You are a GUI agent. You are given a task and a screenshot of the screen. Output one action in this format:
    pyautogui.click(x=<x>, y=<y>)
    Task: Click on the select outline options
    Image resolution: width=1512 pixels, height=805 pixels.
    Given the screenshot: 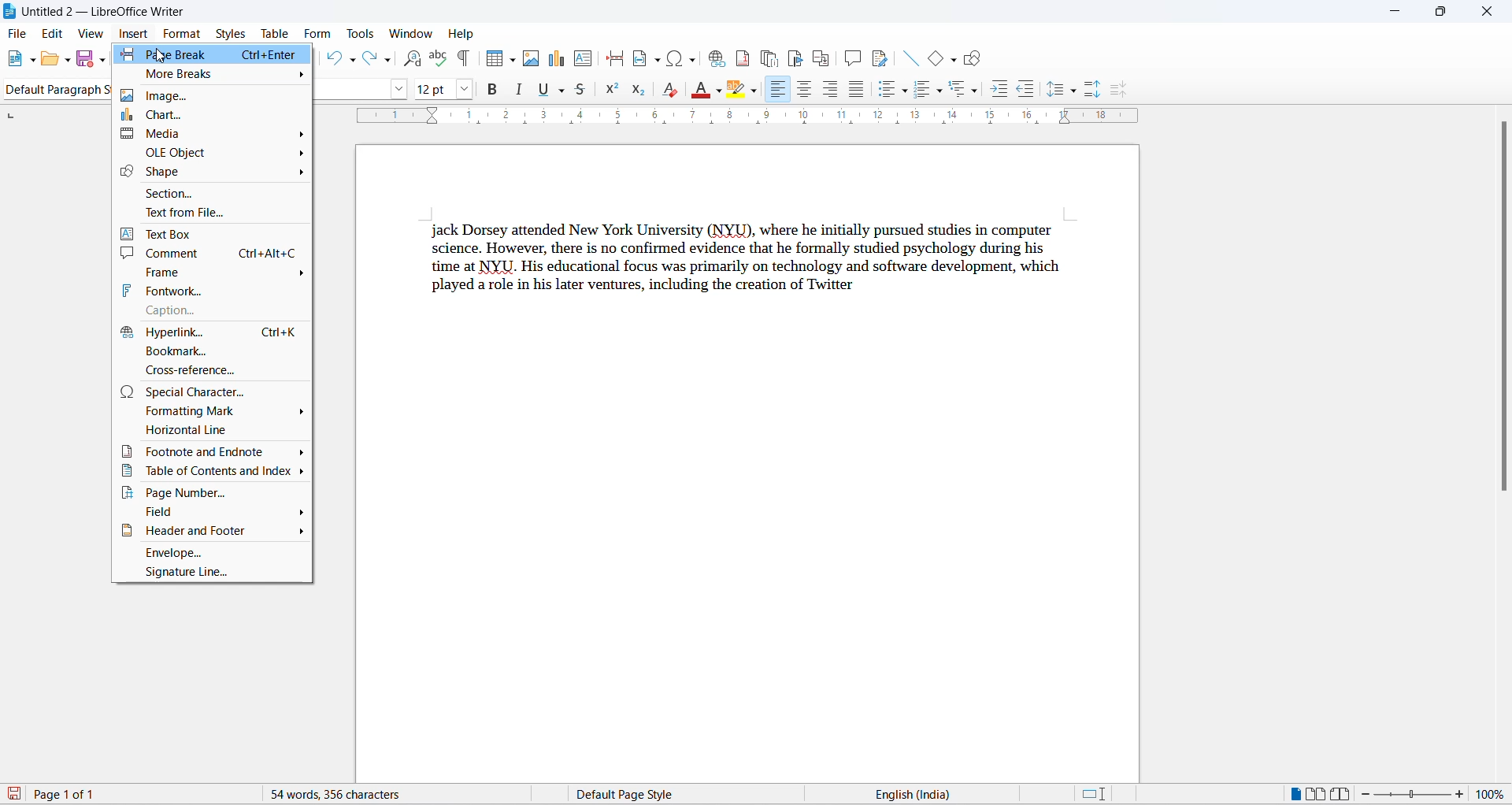 What is the action you would take?
    pyautogui.click(x=980, y=94)
    